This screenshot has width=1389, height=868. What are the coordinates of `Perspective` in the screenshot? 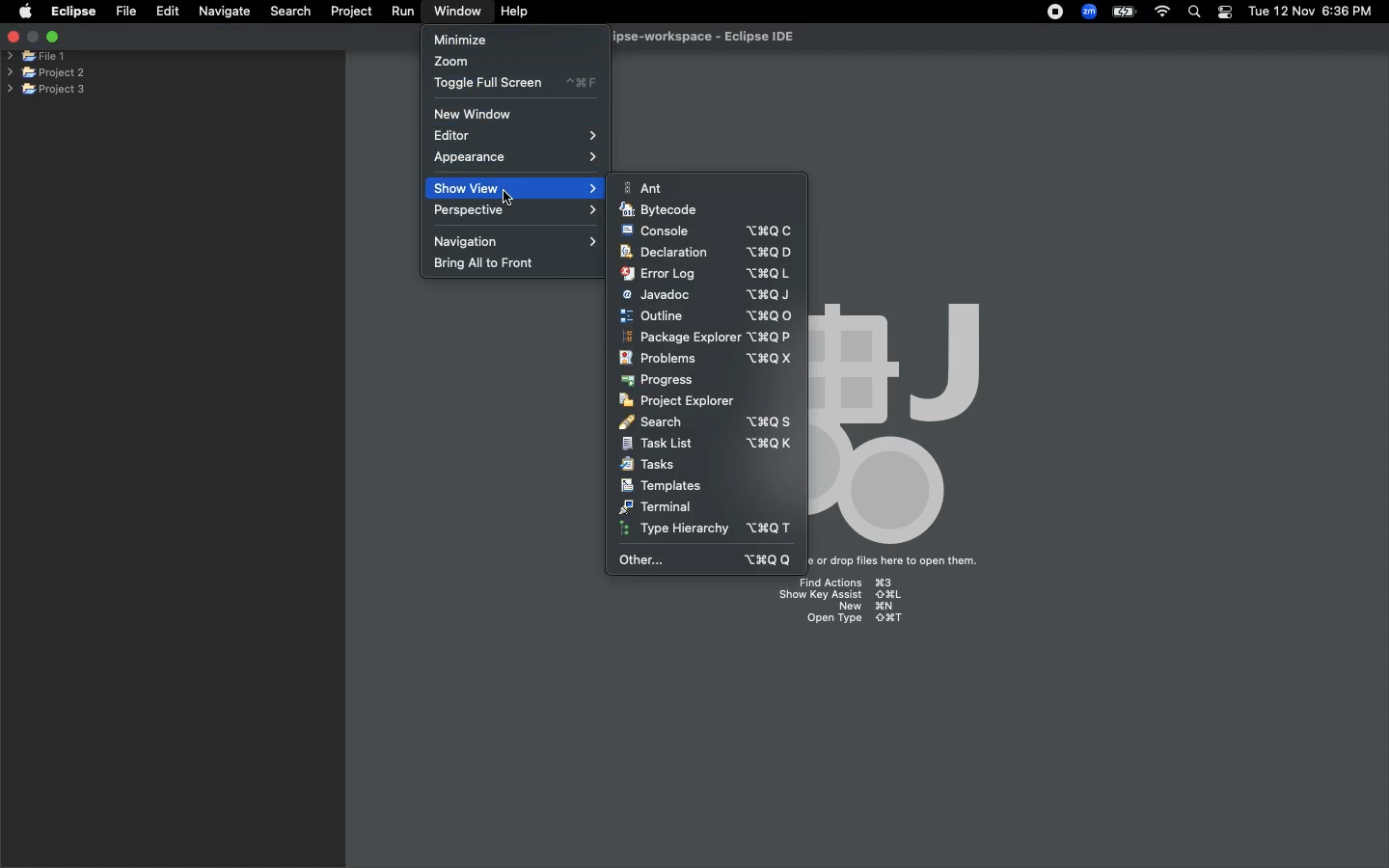 It's located at (520, 211).